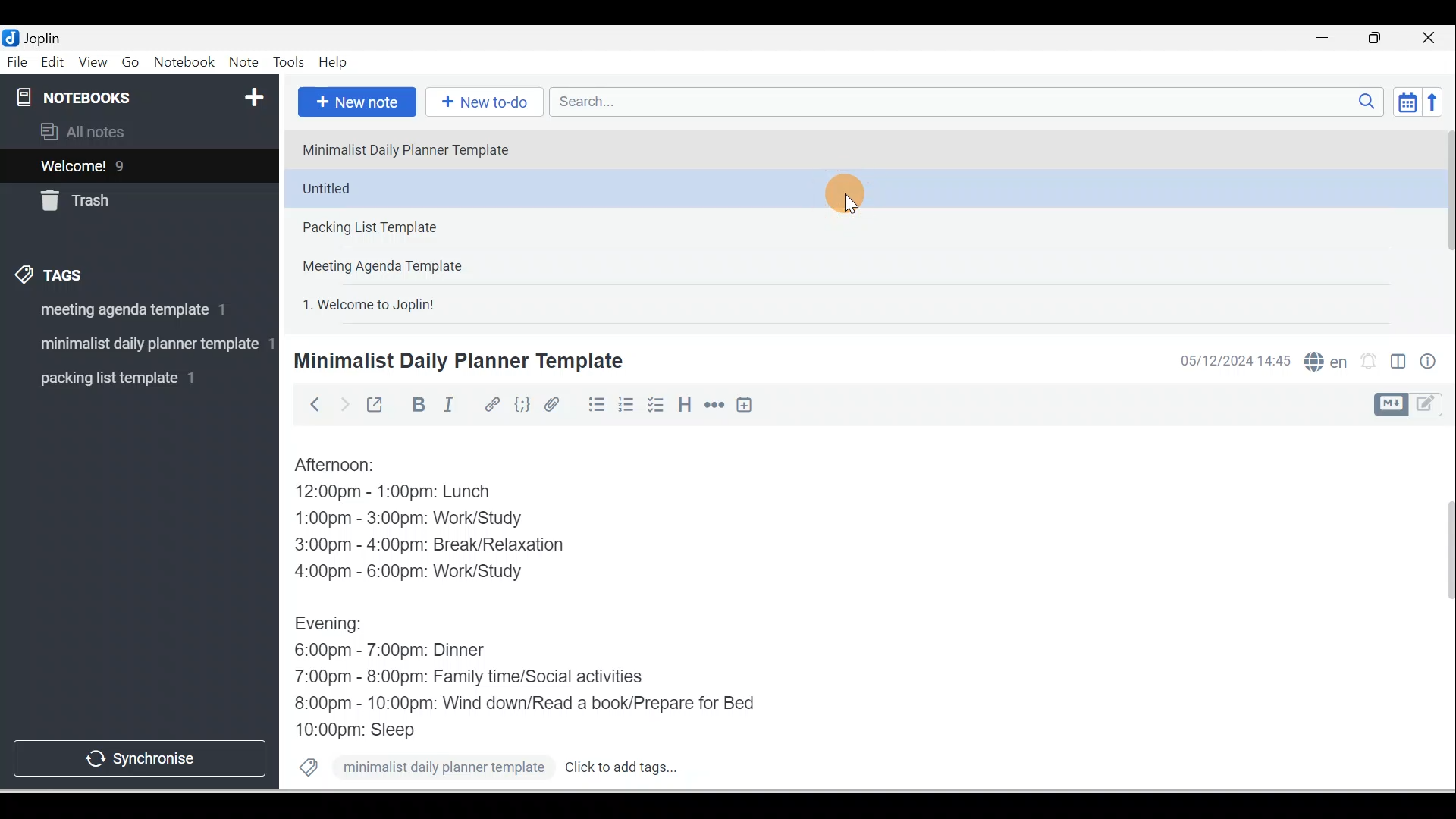 This screenshot has width=1456, height=819. I want to click on Trash, so click(111, 196).